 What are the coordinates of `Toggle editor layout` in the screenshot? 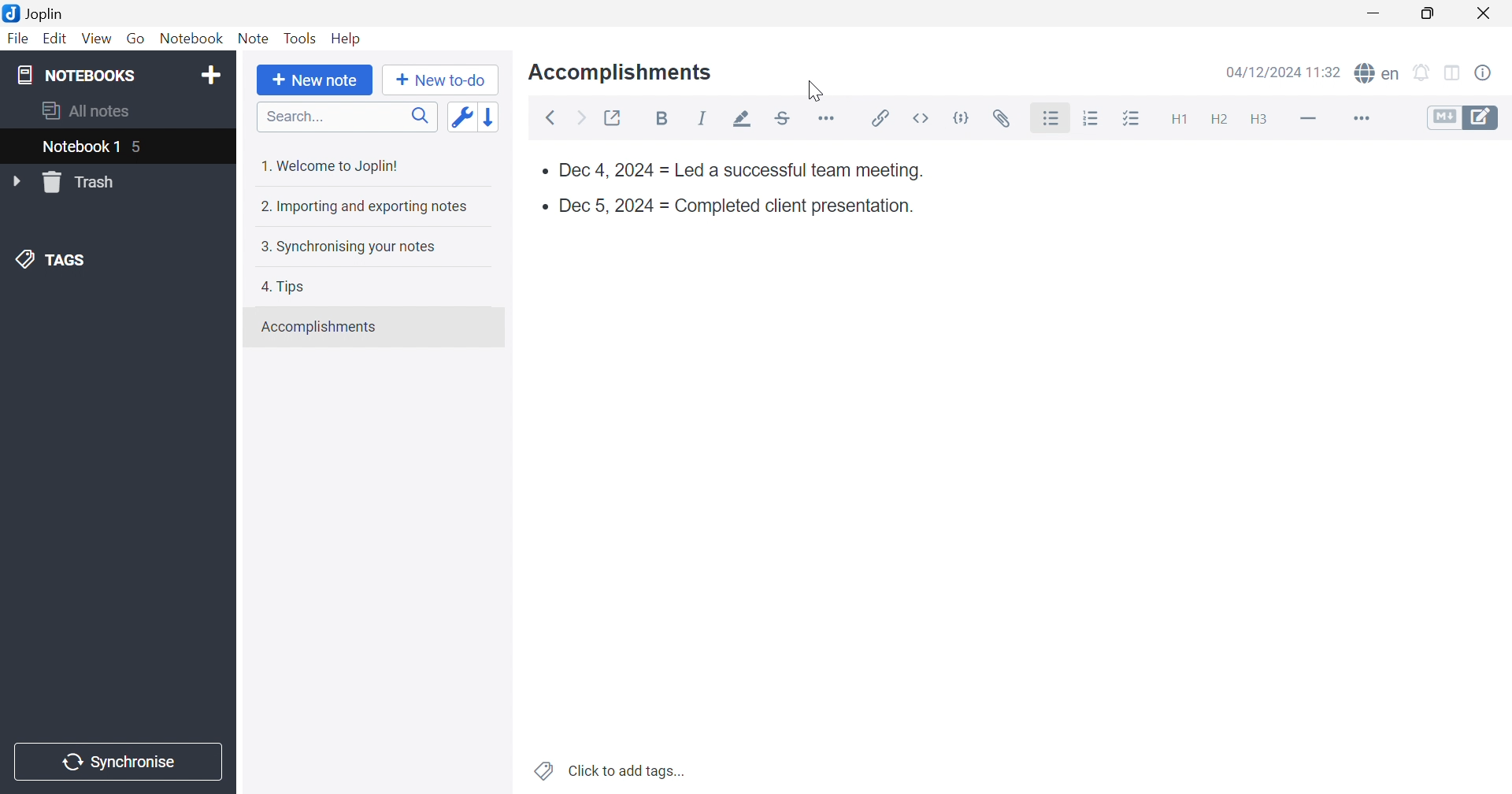 It's located at (1454, 74).